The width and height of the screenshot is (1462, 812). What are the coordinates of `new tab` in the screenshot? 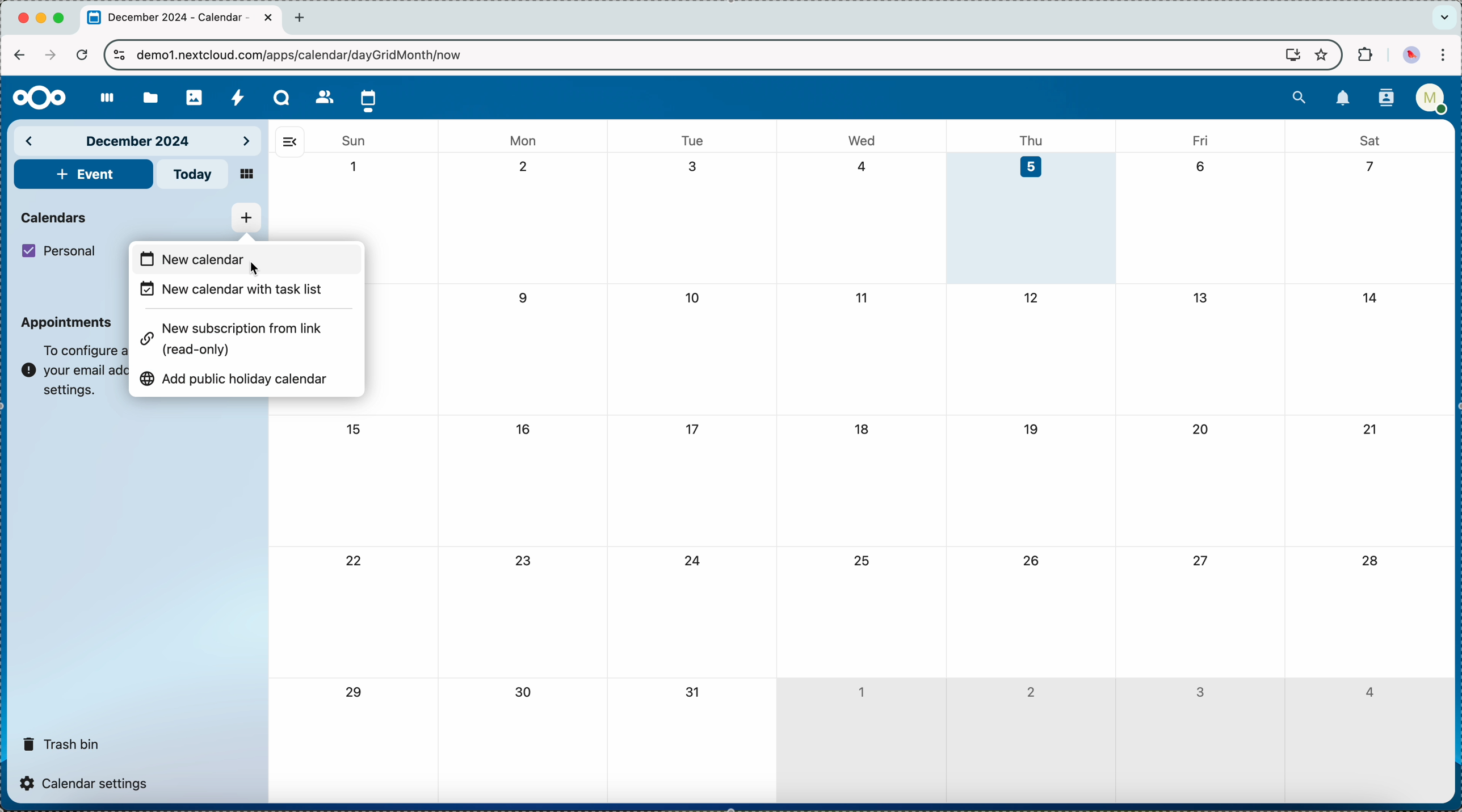 It's located at (303, 18).